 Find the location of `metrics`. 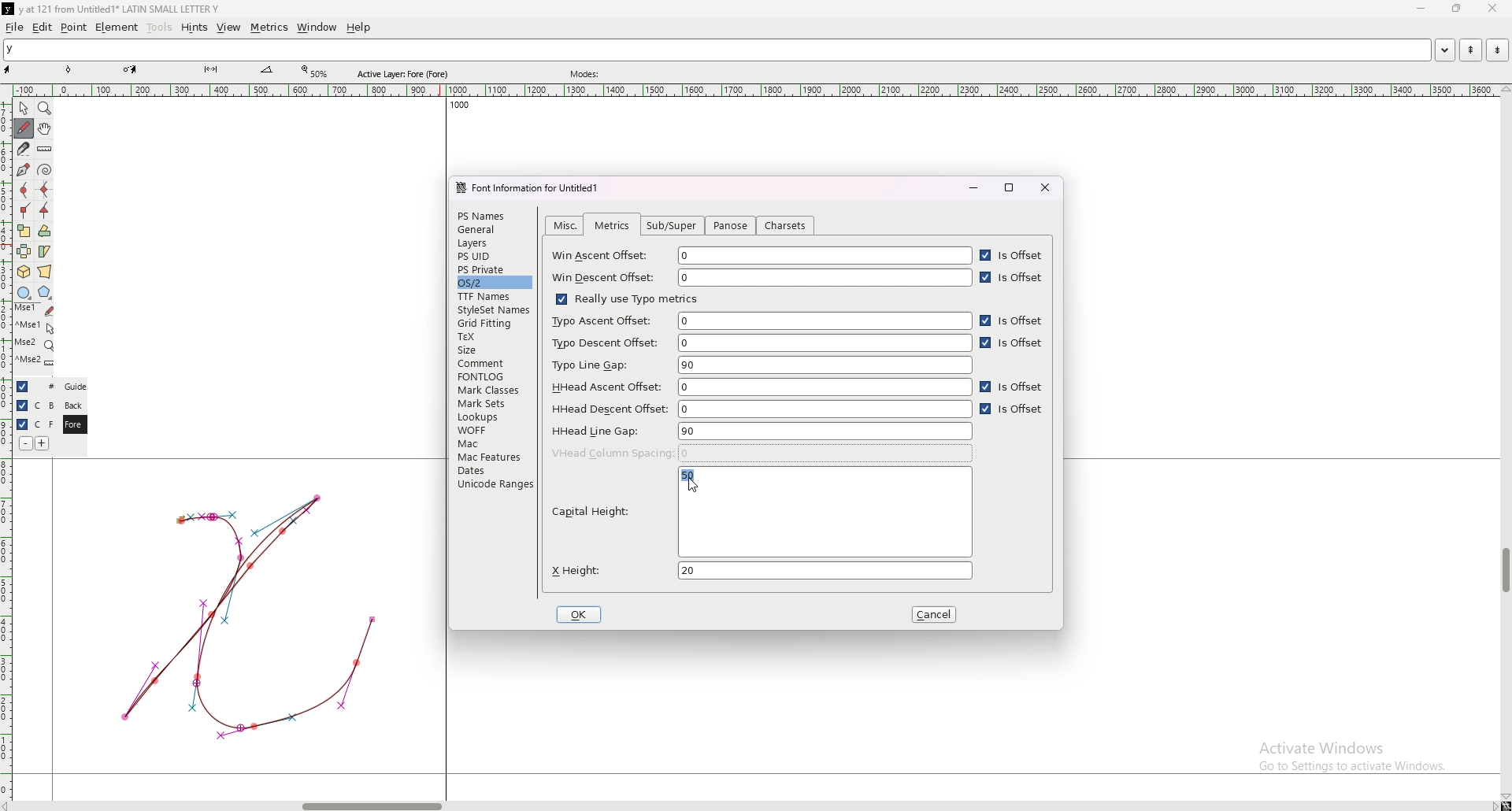

metrics is located at coordinates (269, 28).